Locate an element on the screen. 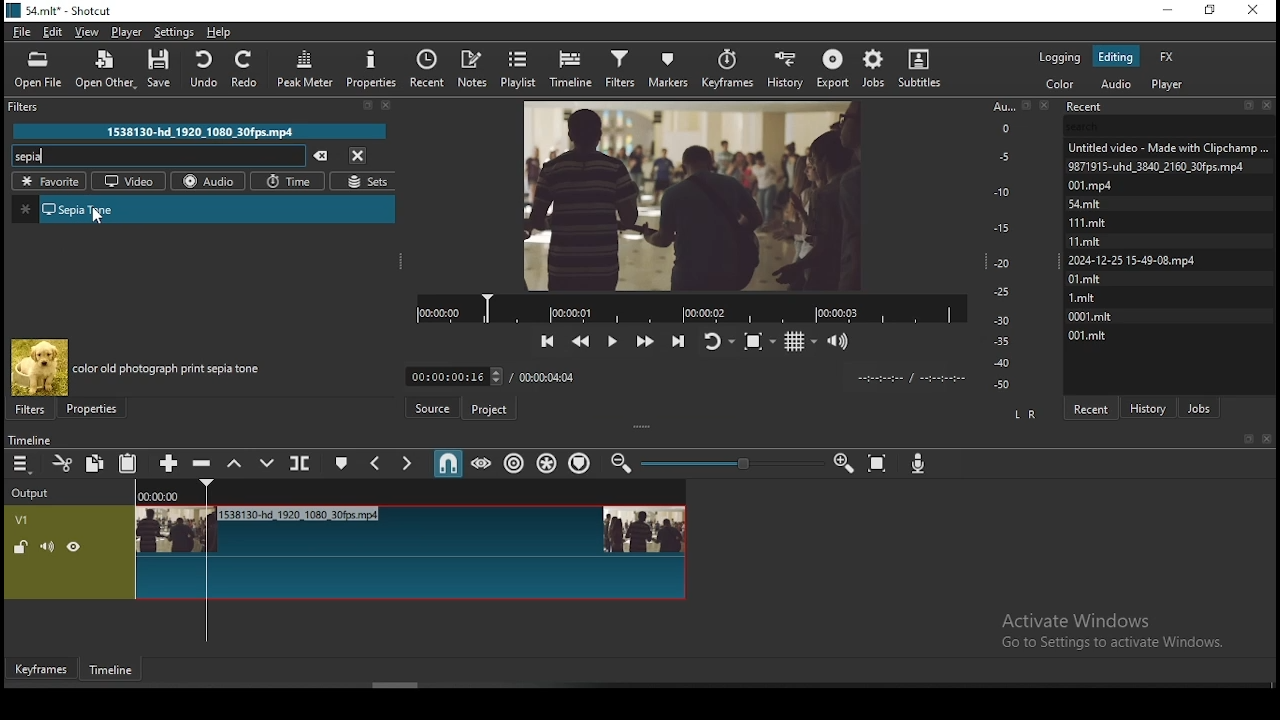  markers is located at coordinates (674, 66).